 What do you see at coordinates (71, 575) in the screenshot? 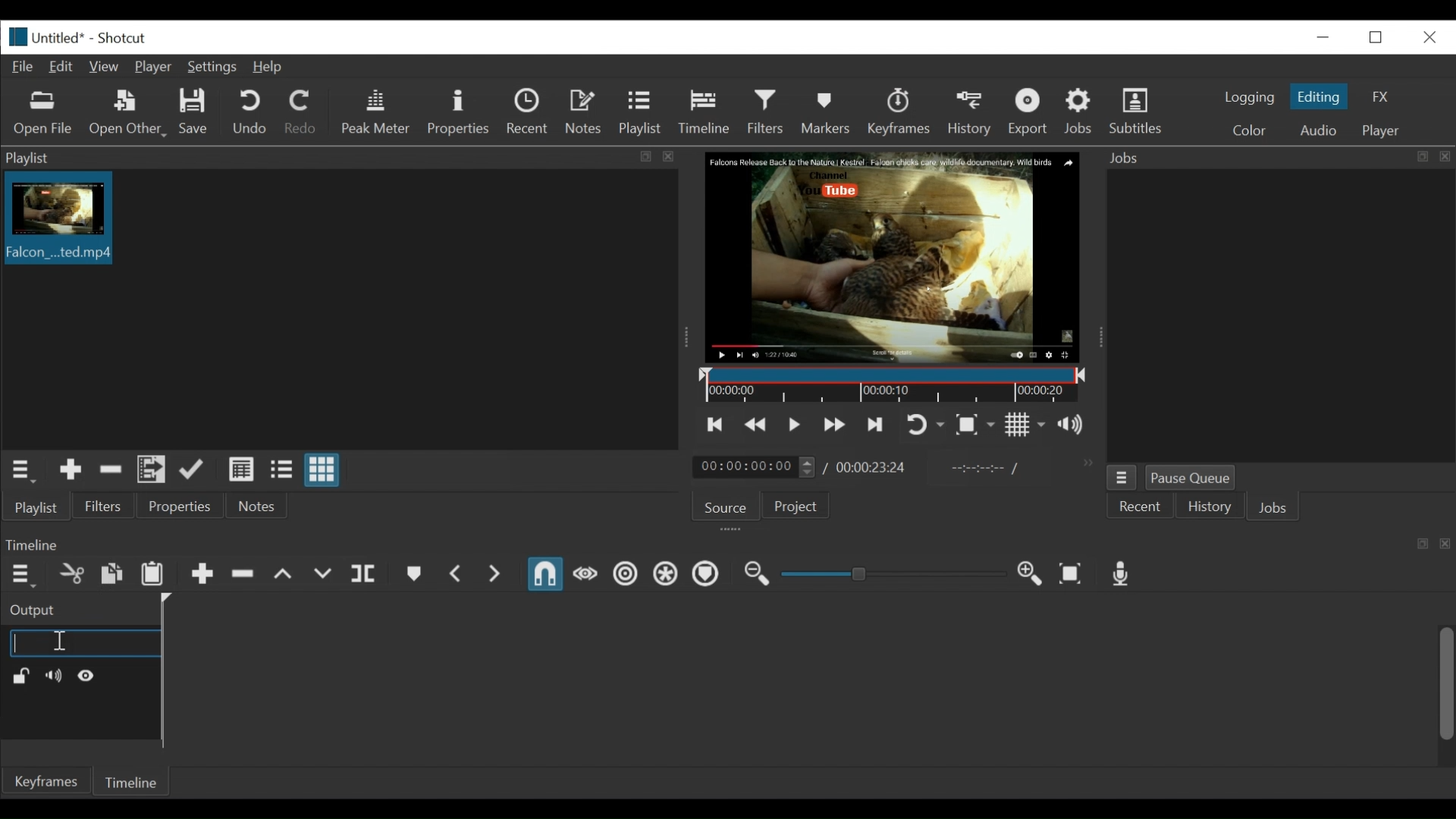
I see `Cut` at bounding box center [71, 575].